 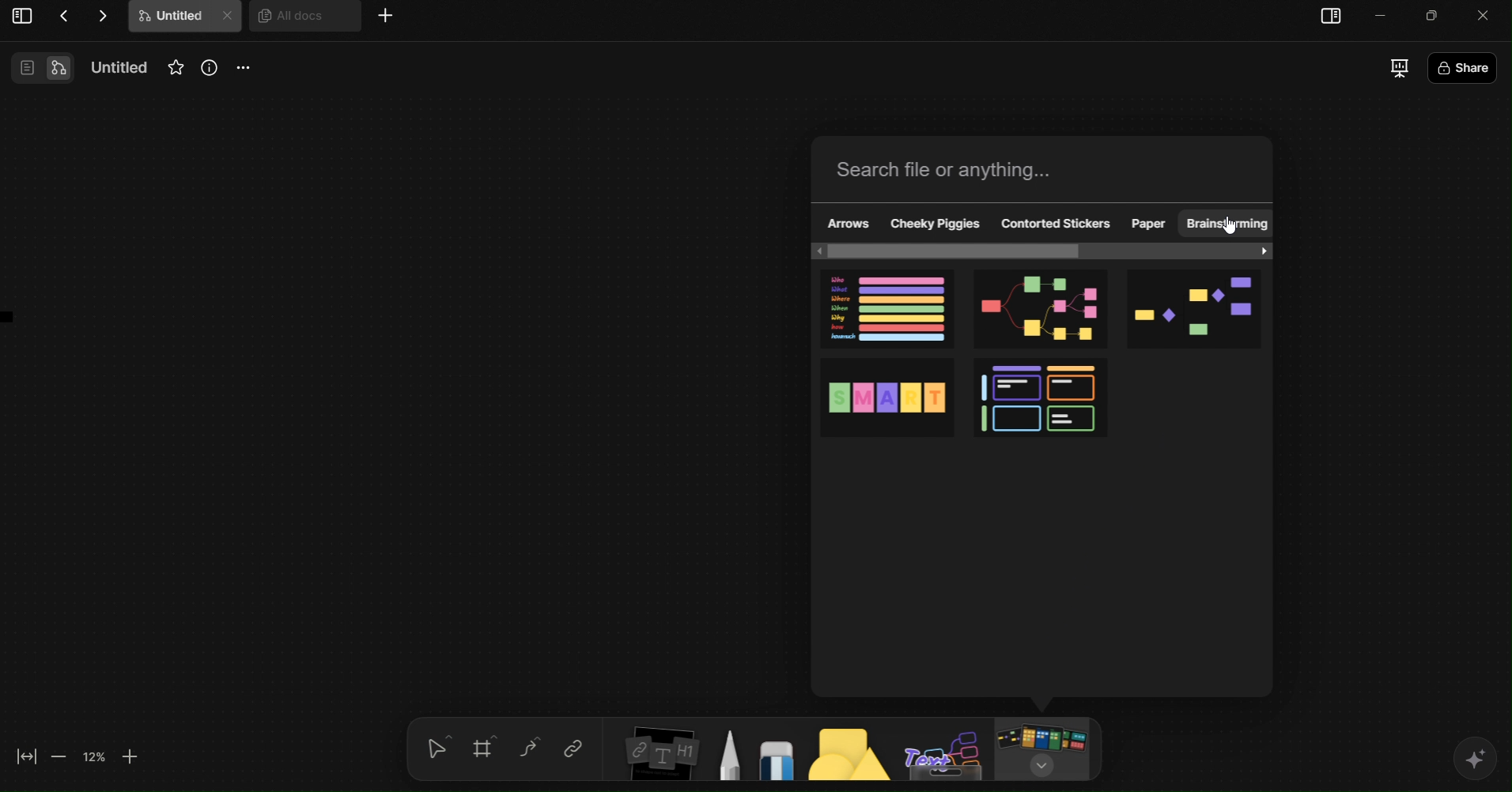 What do you see at coordinates (1498, 71) in the screenshot?
I see `Share` at bounding box center [1498, 71].